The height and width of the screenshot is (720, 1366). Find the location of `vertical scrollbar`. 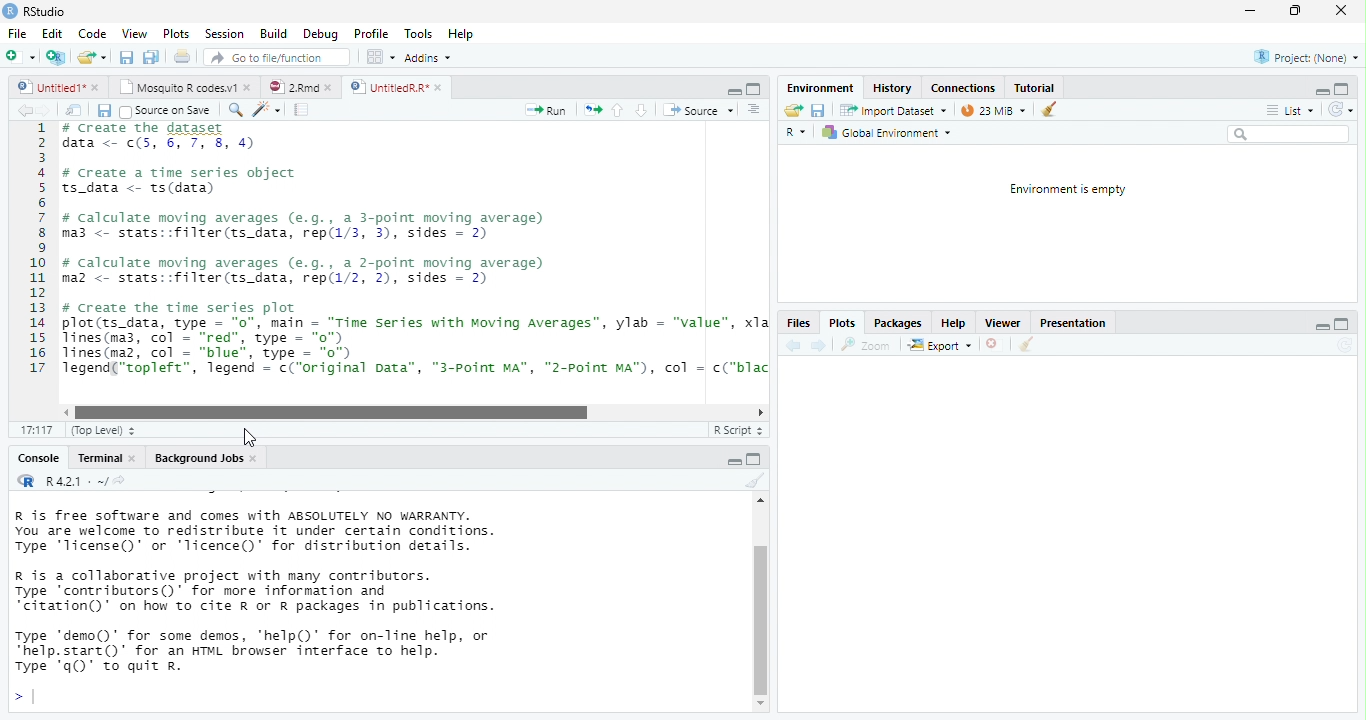

vertical scrollbar is located at coordinates (761, 619).